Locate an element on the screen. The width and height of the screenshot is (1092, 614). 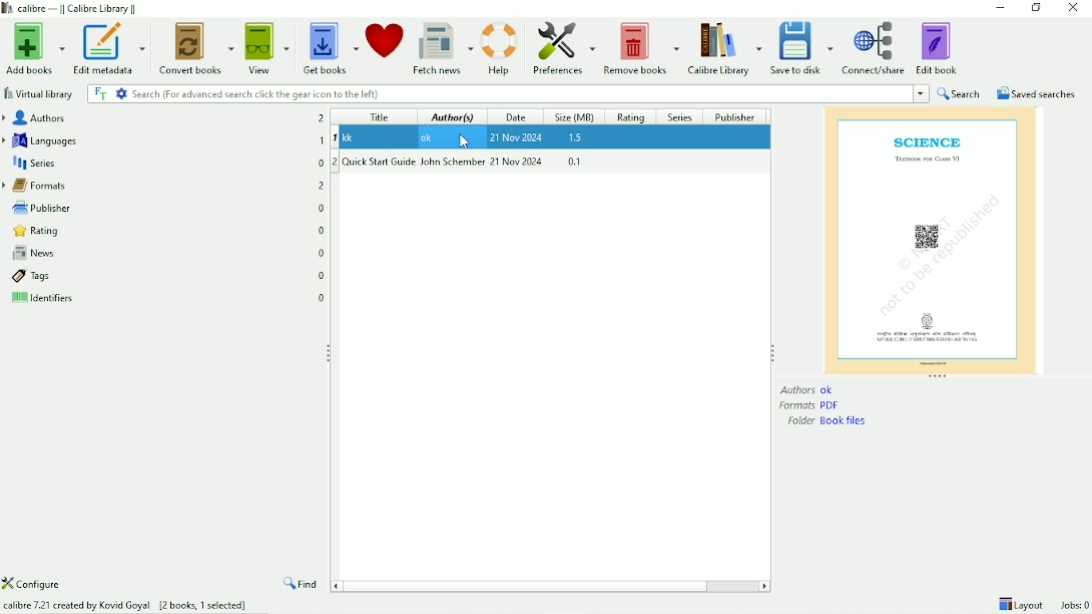
Rating is located at coordinates (632, 117).